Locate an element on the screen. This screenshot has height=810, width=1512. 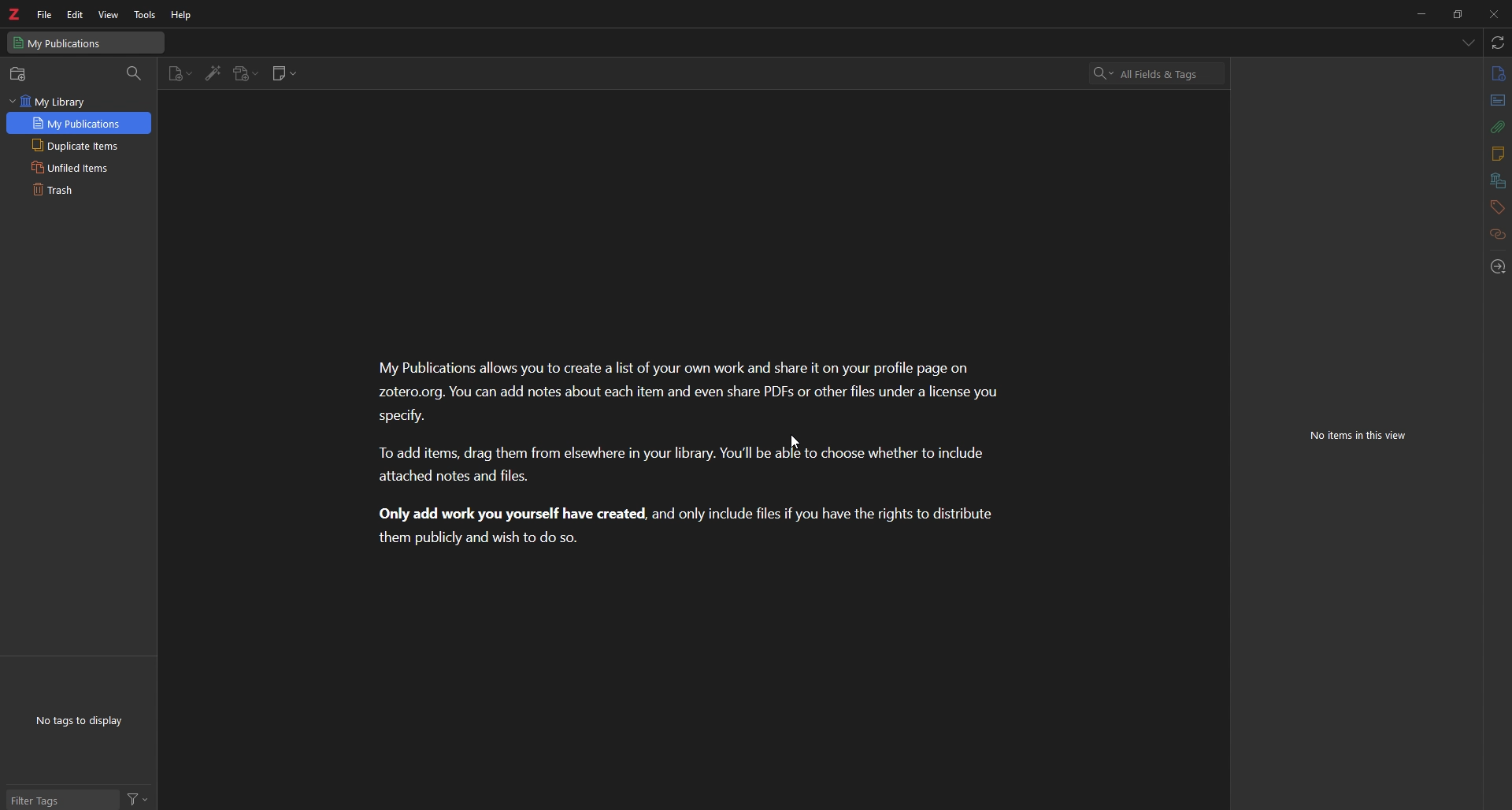
filter collection is located at coordinates (134, 73).